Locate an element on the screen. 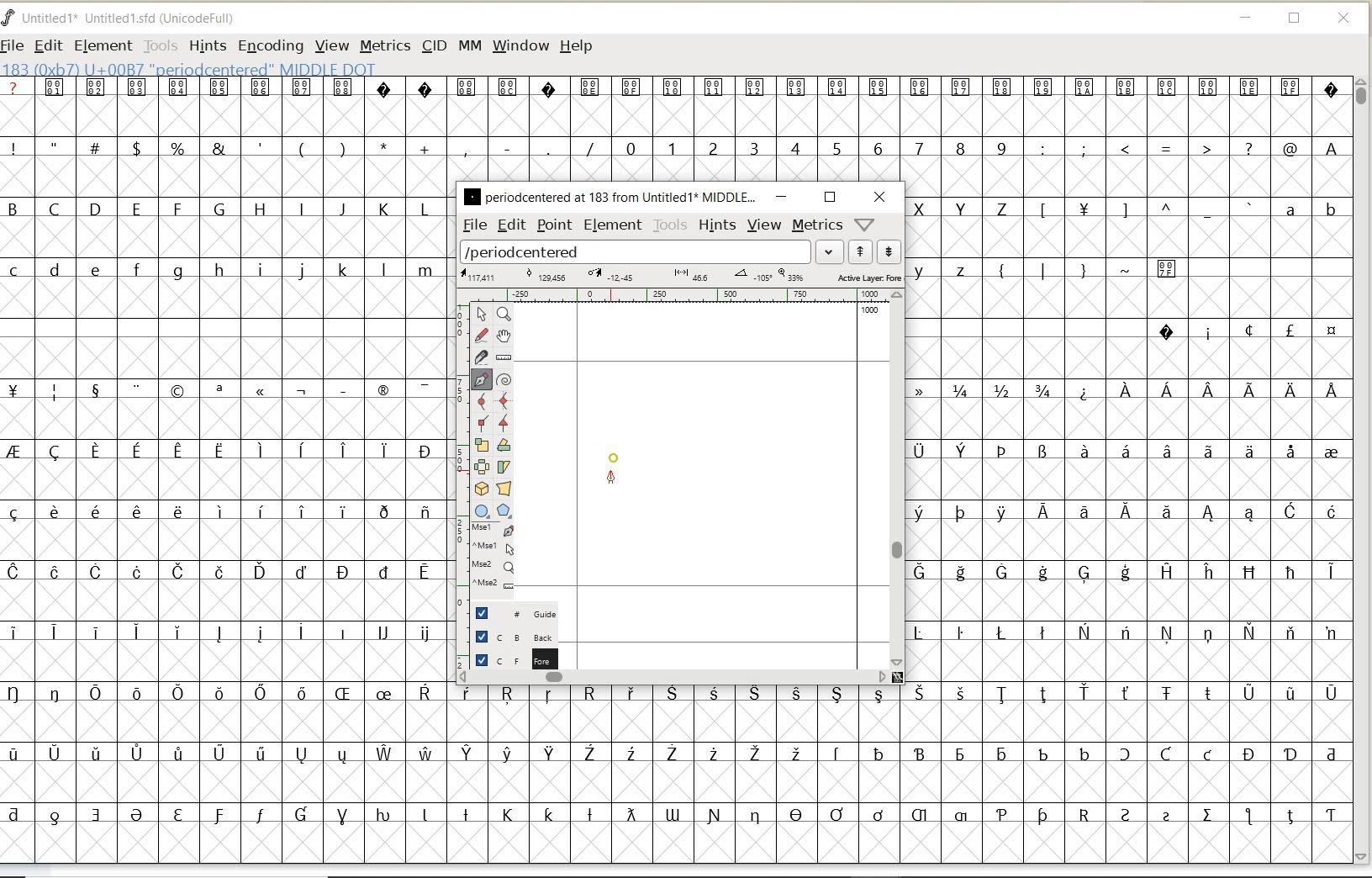  uppercase letters is located at coordinates (964, 208).